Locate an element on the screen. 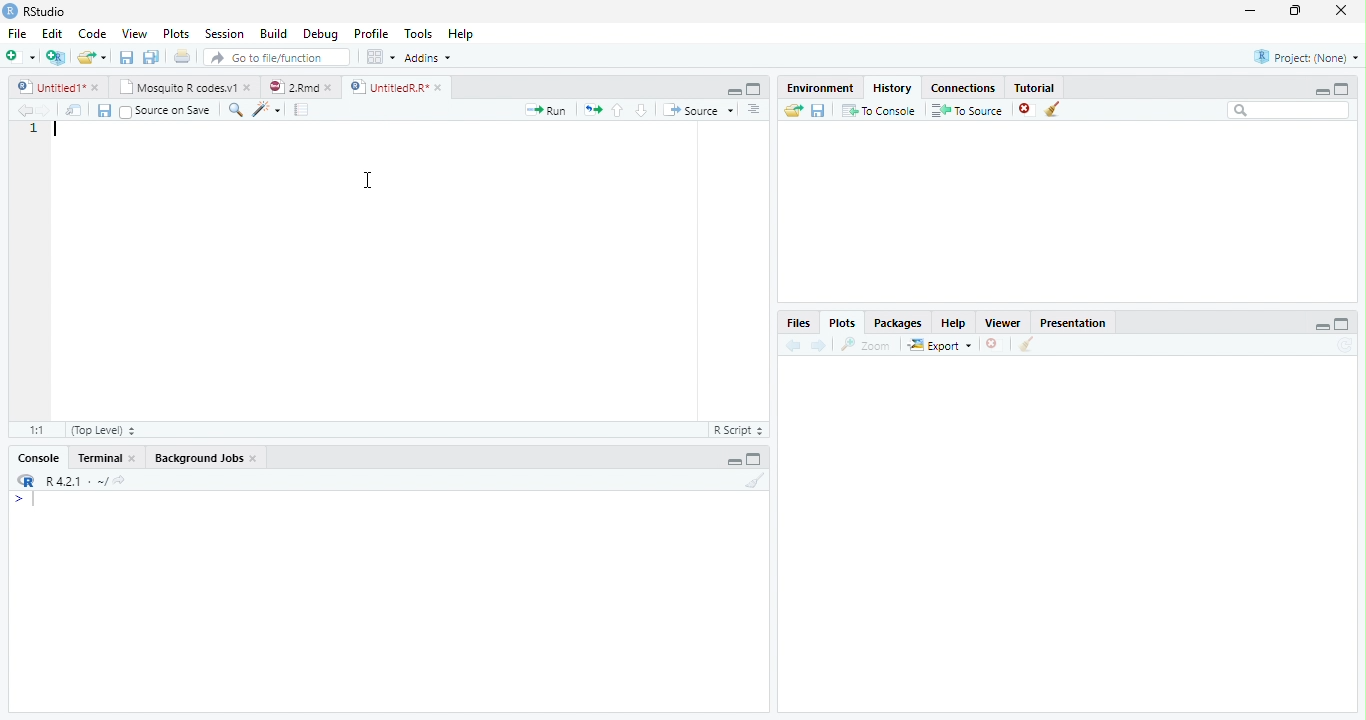 Image resolution: width=1366 pixels, height=720 pixels. Console is located at coordinates (38, 459).